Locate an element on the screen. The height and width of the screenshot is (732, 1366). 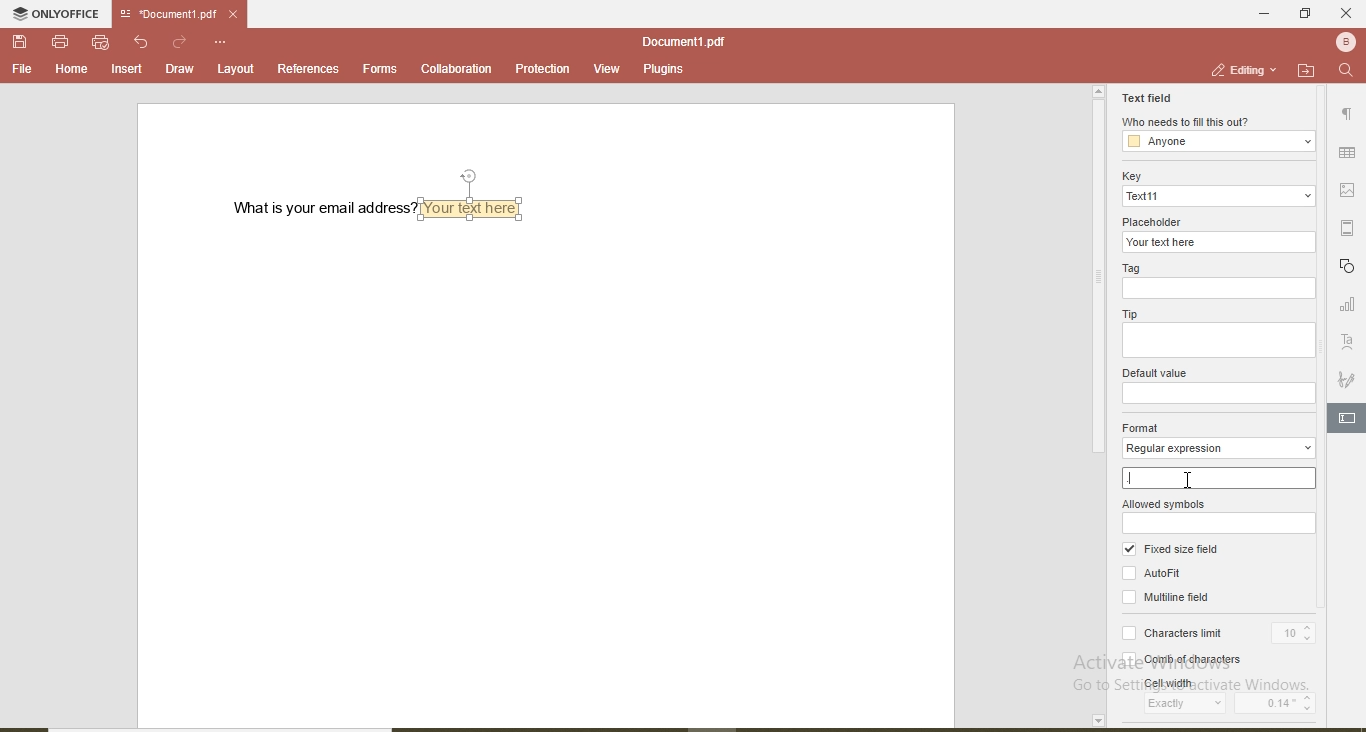
tag input is located at coordinates (1217, 289).